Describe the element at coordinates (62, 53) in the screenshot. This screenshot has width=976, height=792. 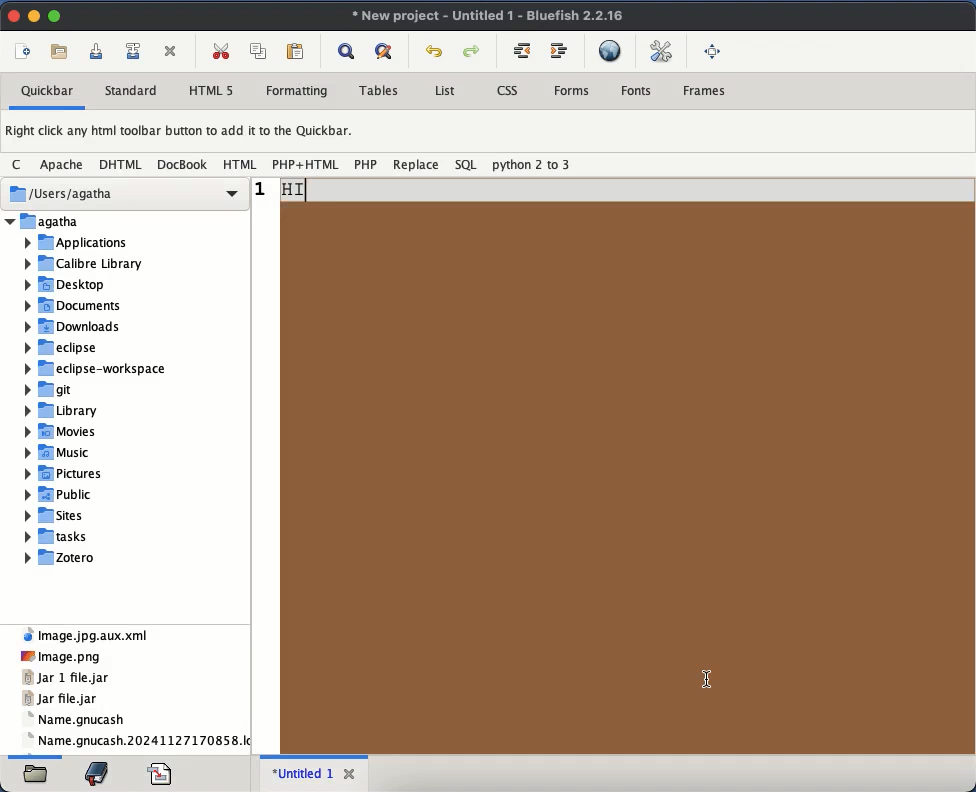
I see `open file` at that location.